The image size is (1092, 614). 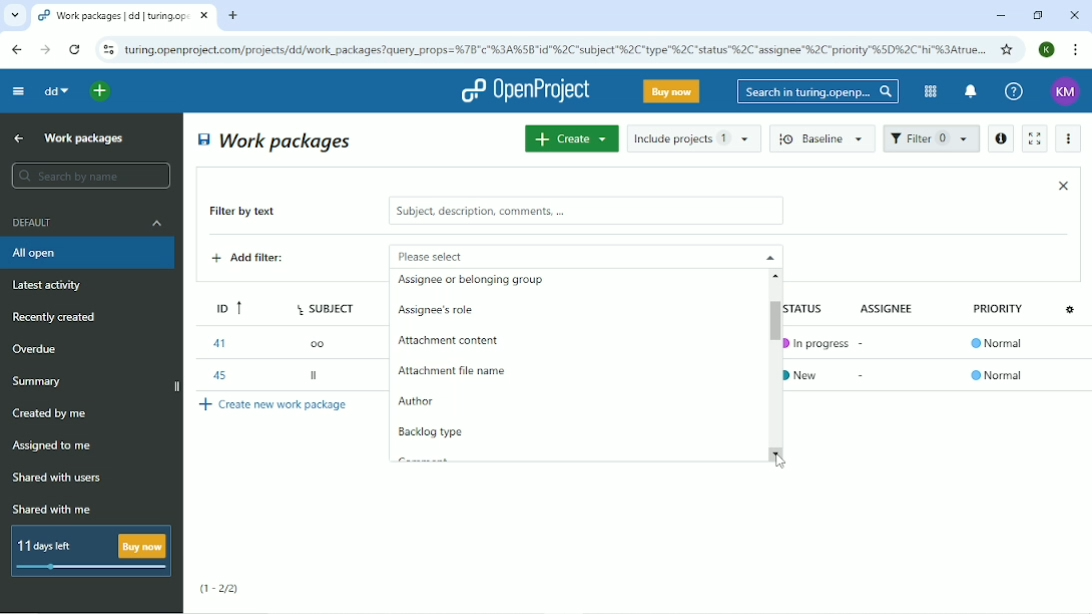 I want to click on Vertical scrollbar, so click(x=769, y=320).